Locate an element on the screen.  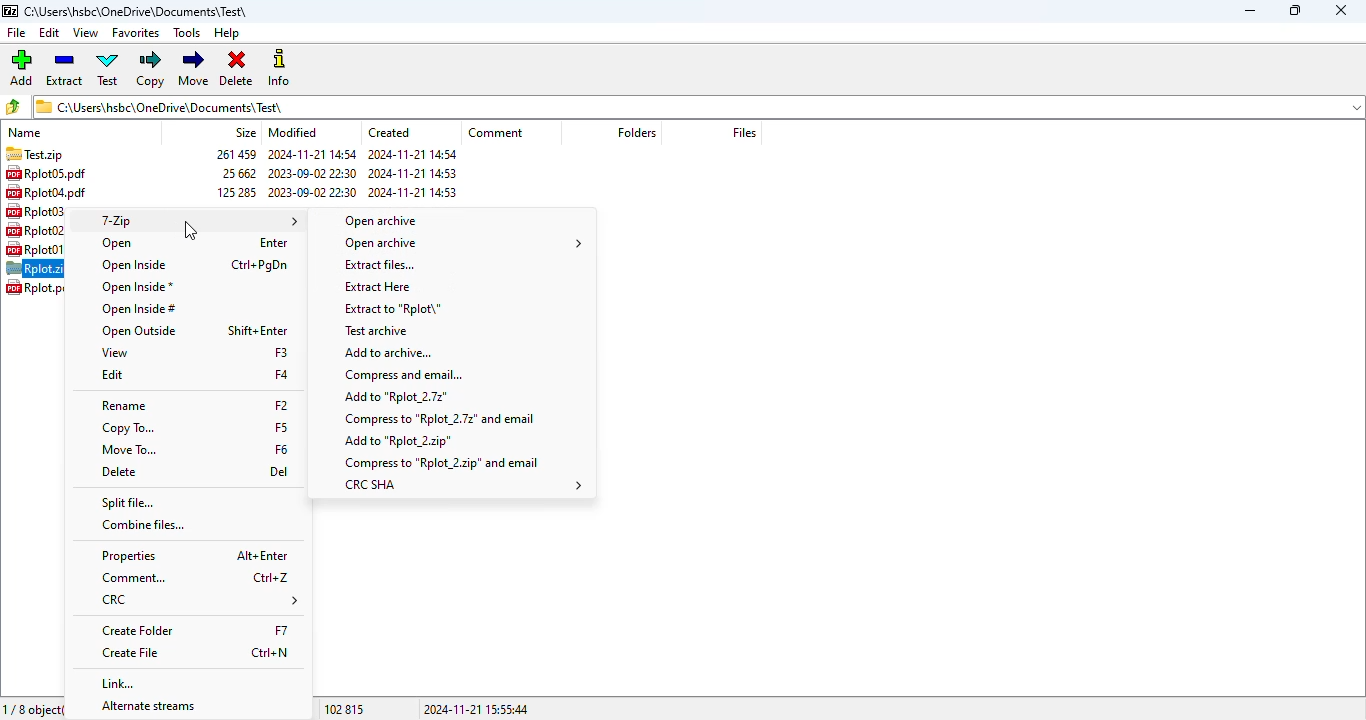
info is located at coordinates (278, 67).